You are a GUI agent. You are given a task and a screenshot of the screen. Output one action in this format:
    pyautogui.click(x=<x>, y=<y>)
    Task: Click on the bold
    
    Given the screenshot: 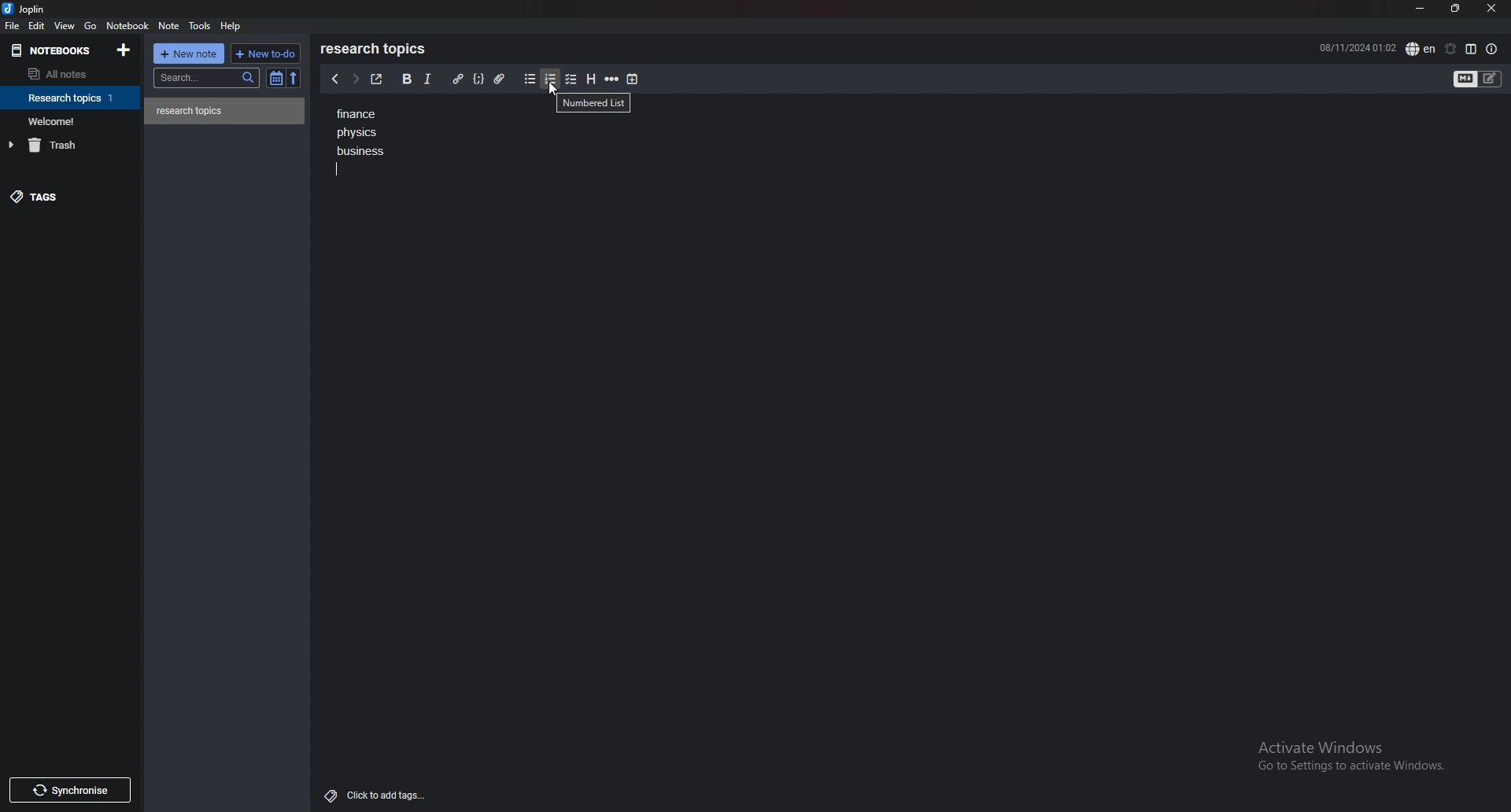 What is the action you would take?
    pyautogui.click(x=405, y=79)
    